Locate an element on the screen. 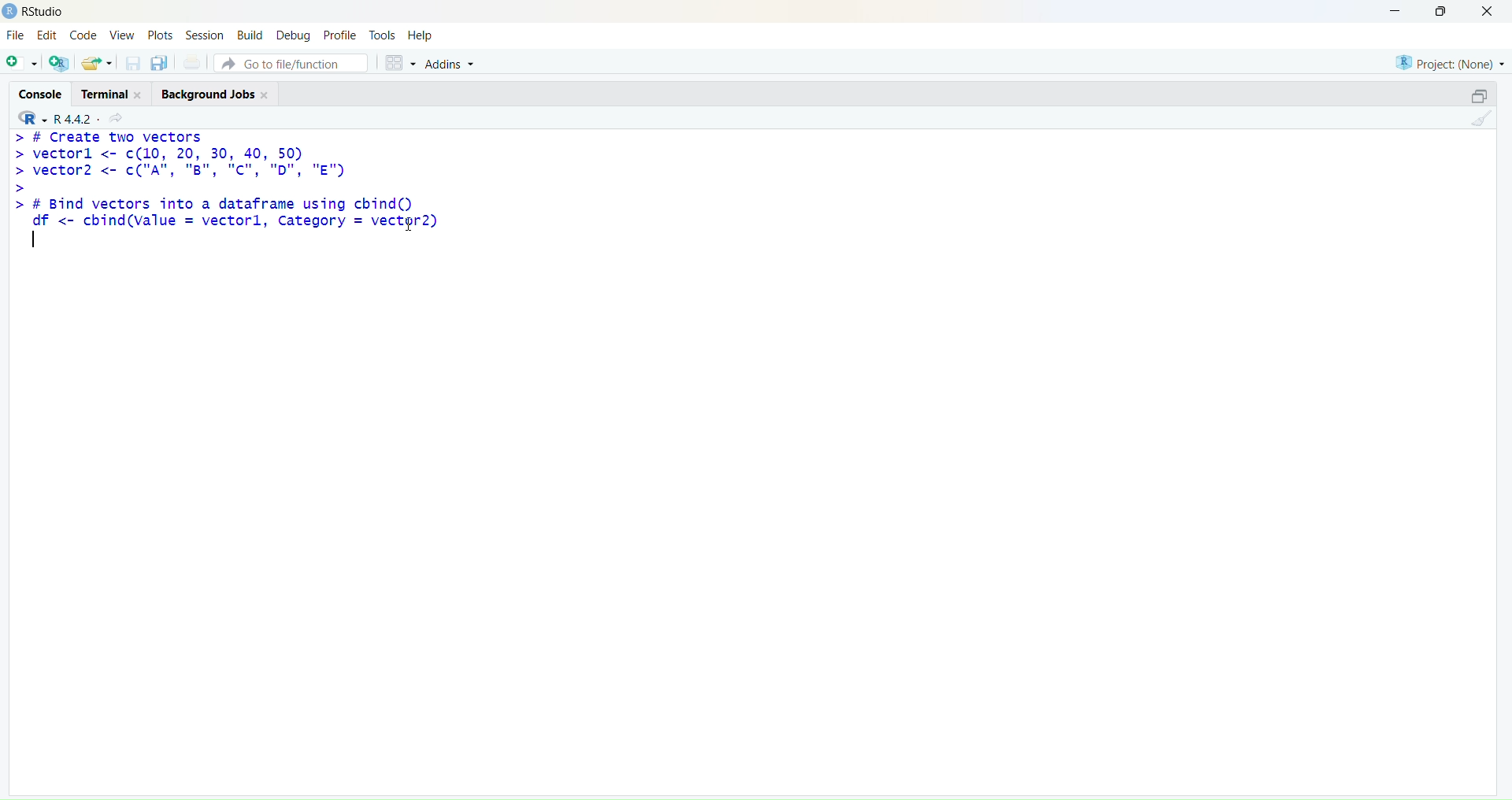 The image size is (1512, 800). Maximize is located at coordinates (1442, 11).